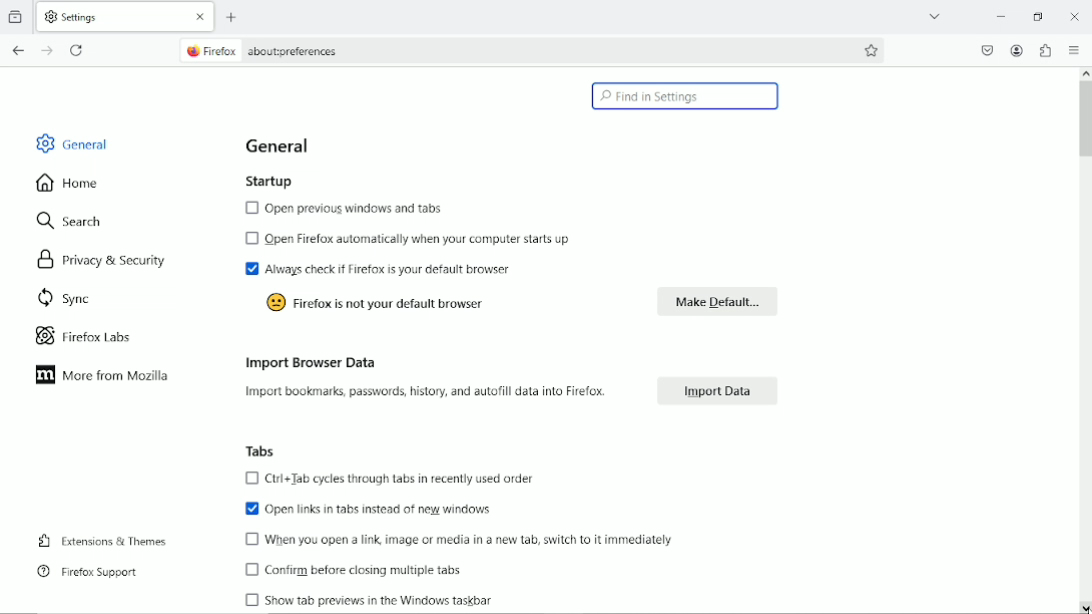 The width and height of the screenshot is (1092, 614). Describe the element at coordinates (407, 239) in the screenshot. I see `Open firefox automatically when your computer starts up.` at that location.